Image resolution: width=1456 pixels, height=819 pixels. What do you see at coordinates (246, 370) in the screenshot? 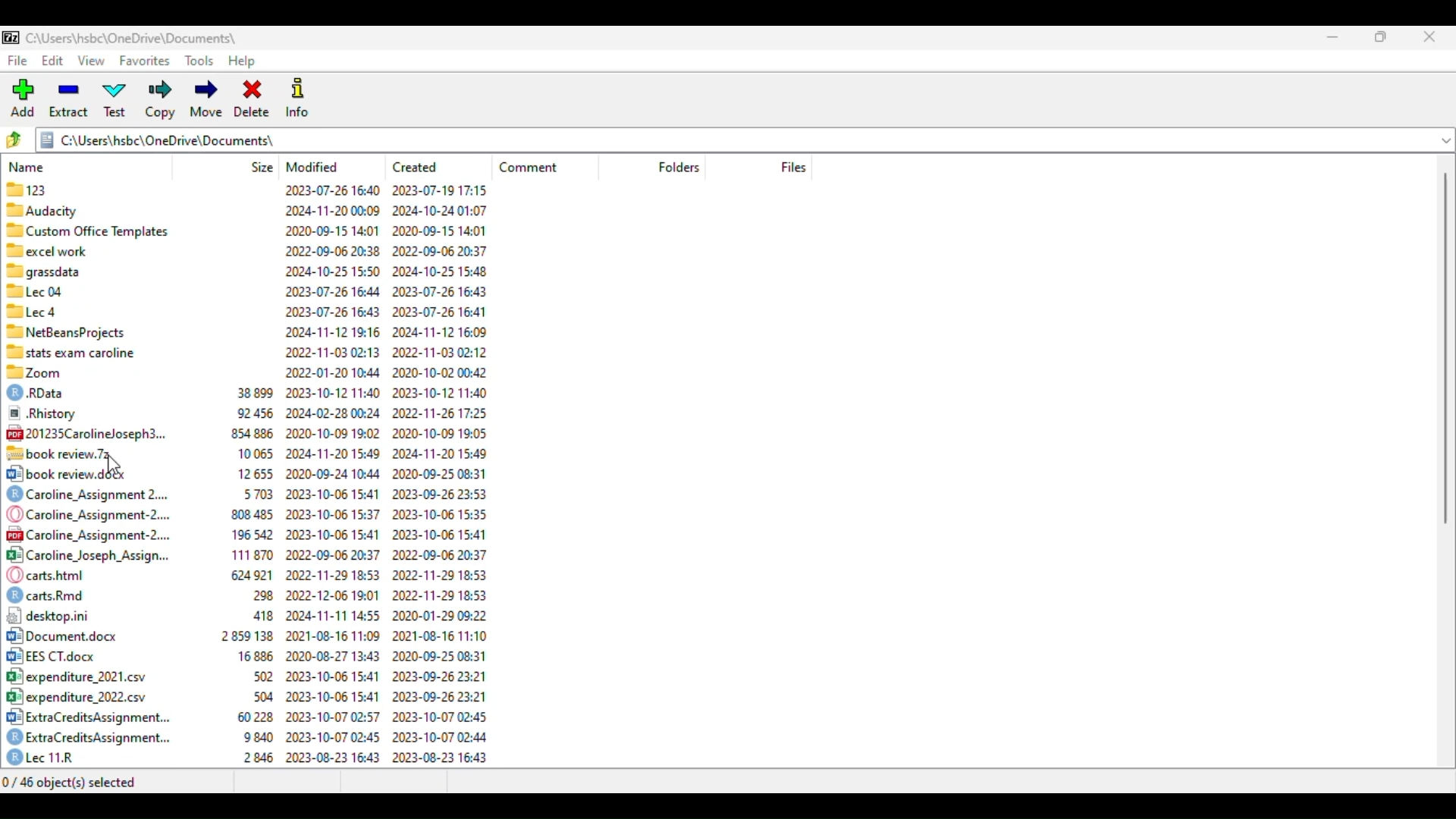
I see `88 Zoom 2022-01-20 10:44 2020-10-02 00:42` at bounding box center [246, 370].